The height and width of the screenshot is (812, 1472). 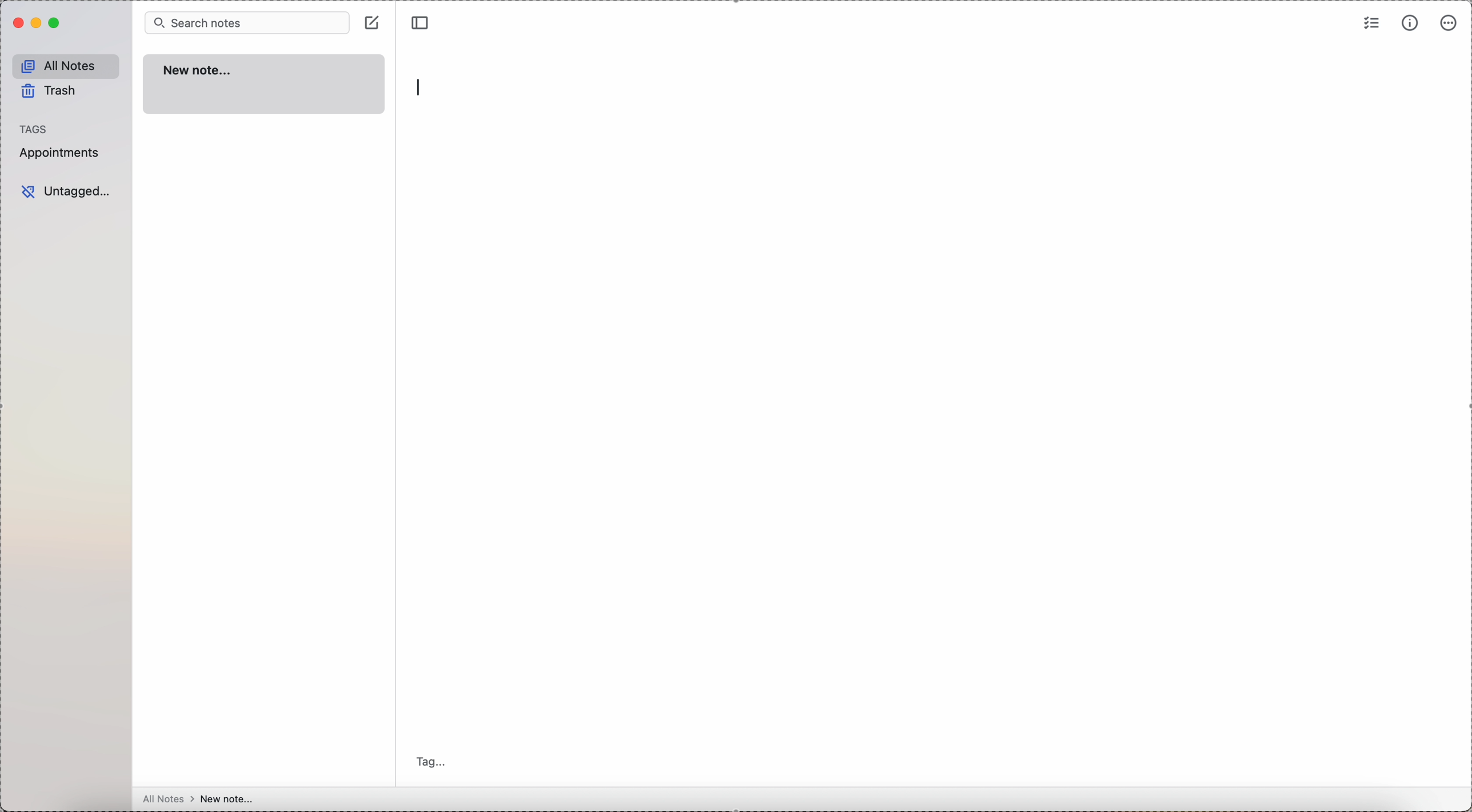 What do you see at coordinates (66, 66) in the screenshot?
I see `all notes` at bounding box center [66, 66].